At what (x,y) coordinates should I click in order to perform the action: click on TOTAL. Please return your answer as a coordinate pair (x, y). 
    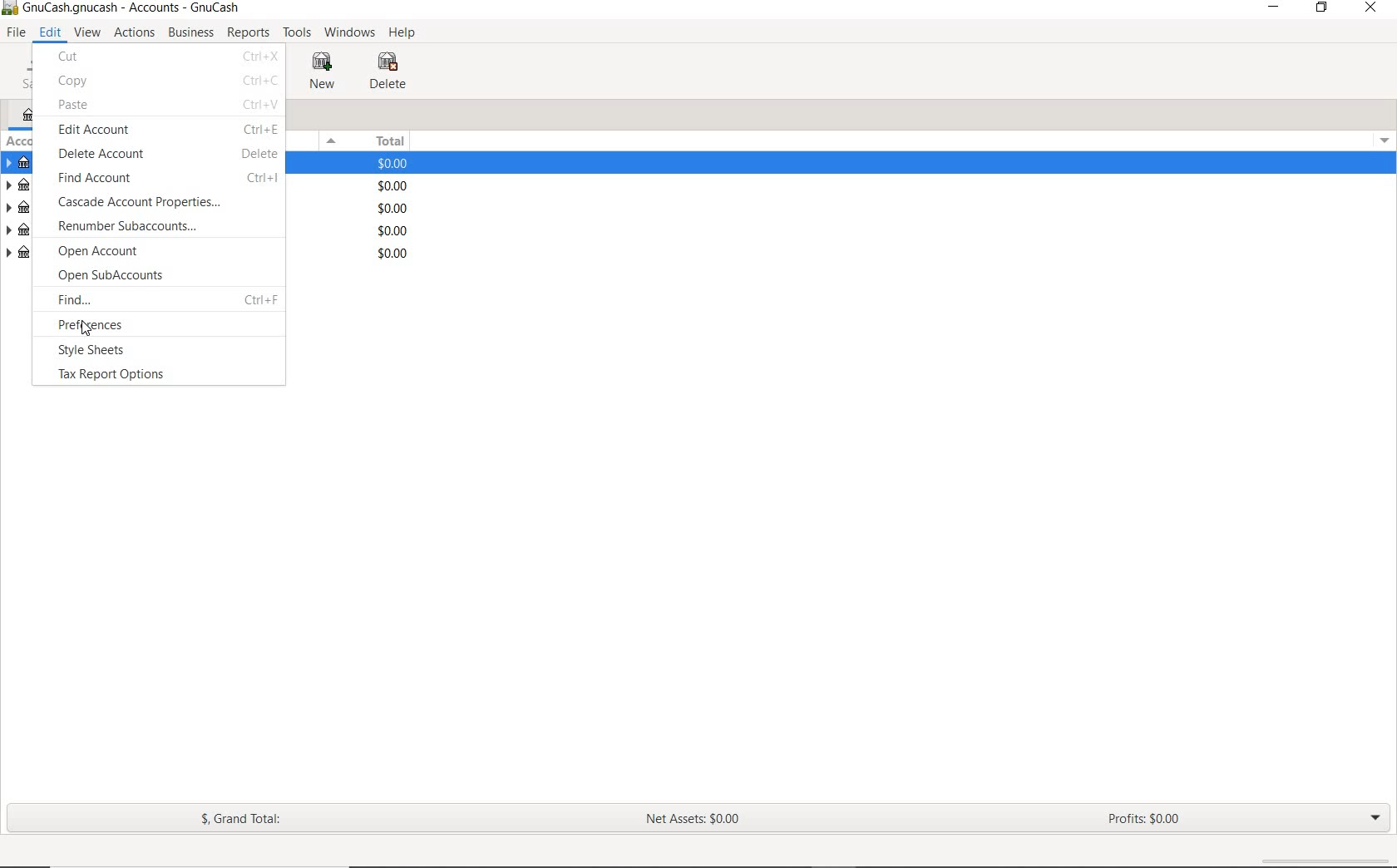
    Looking at the image, I should click on (388, 140).